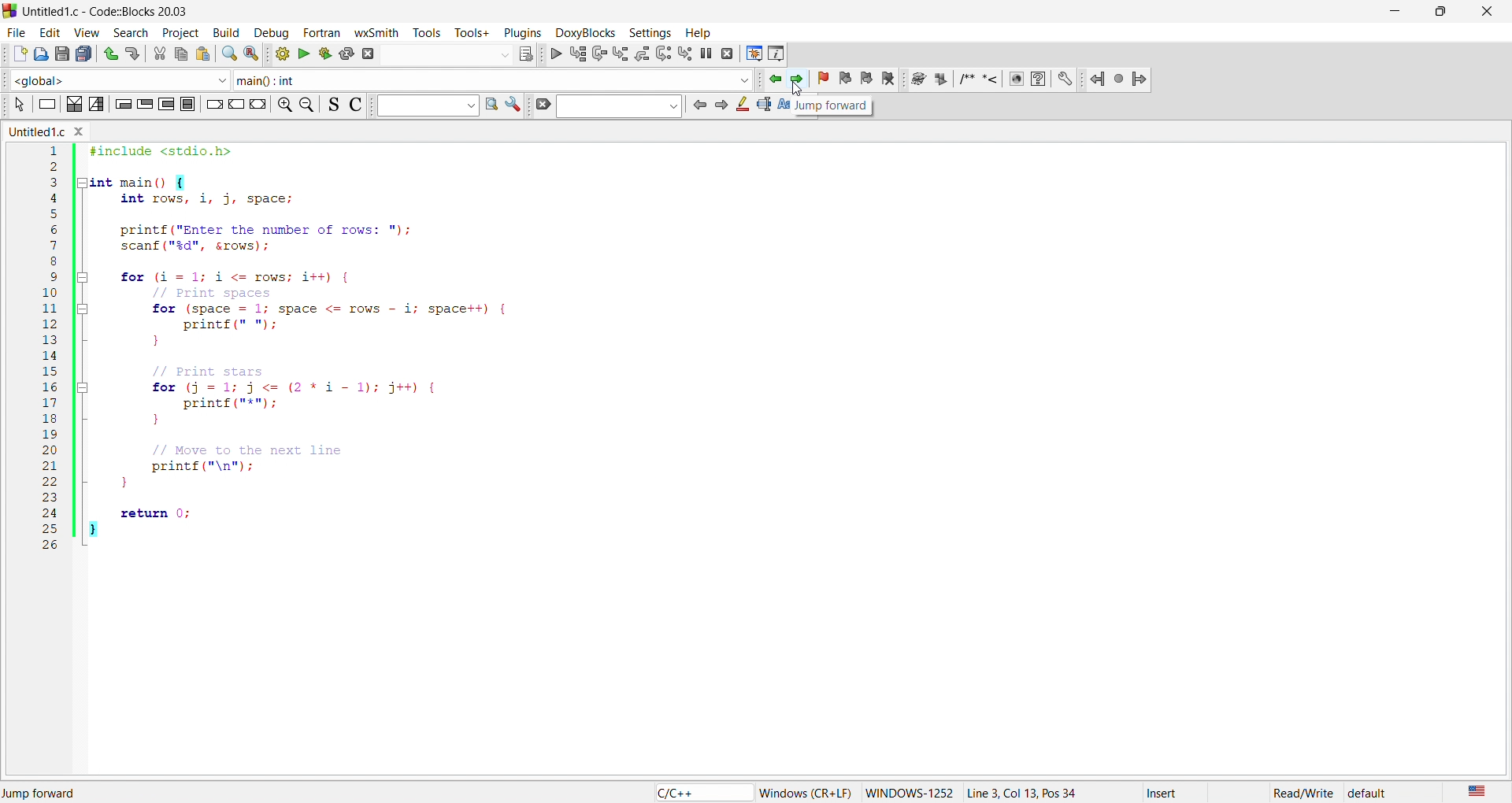 The height and width of the screenshot is (803, 1512). I want to click on project, so click(176, 30).